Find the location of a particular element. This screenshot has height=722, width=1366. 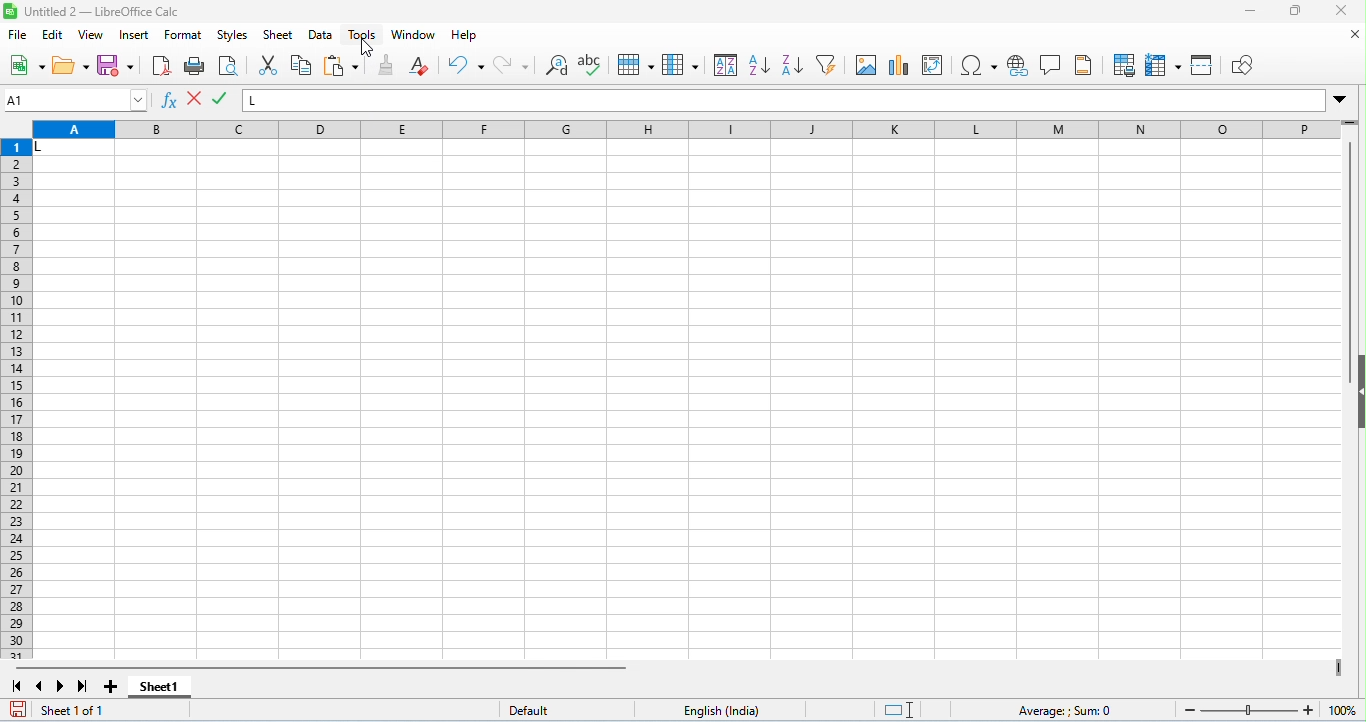

sheet is located at coordinates (278, 35).